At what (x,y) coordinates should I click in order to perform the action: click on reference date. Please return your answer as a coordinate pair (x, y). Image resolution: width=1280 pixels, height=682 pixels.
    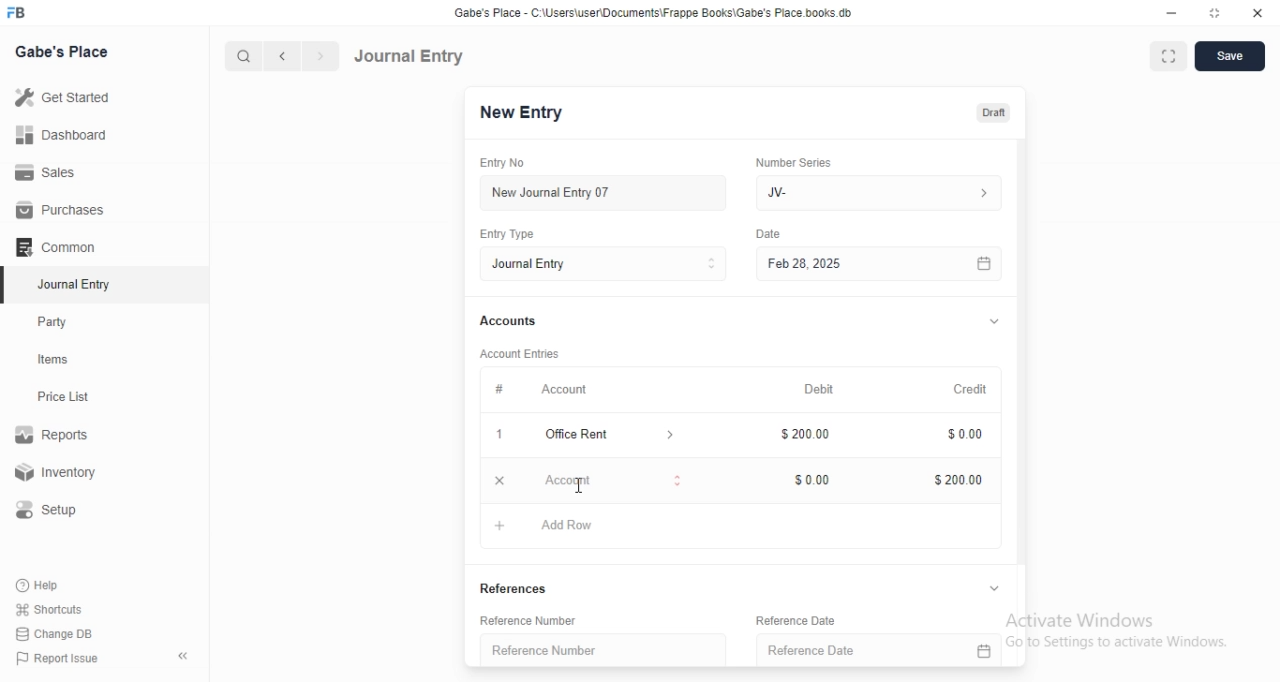
    Looking at the image, I should click on (805, 649).